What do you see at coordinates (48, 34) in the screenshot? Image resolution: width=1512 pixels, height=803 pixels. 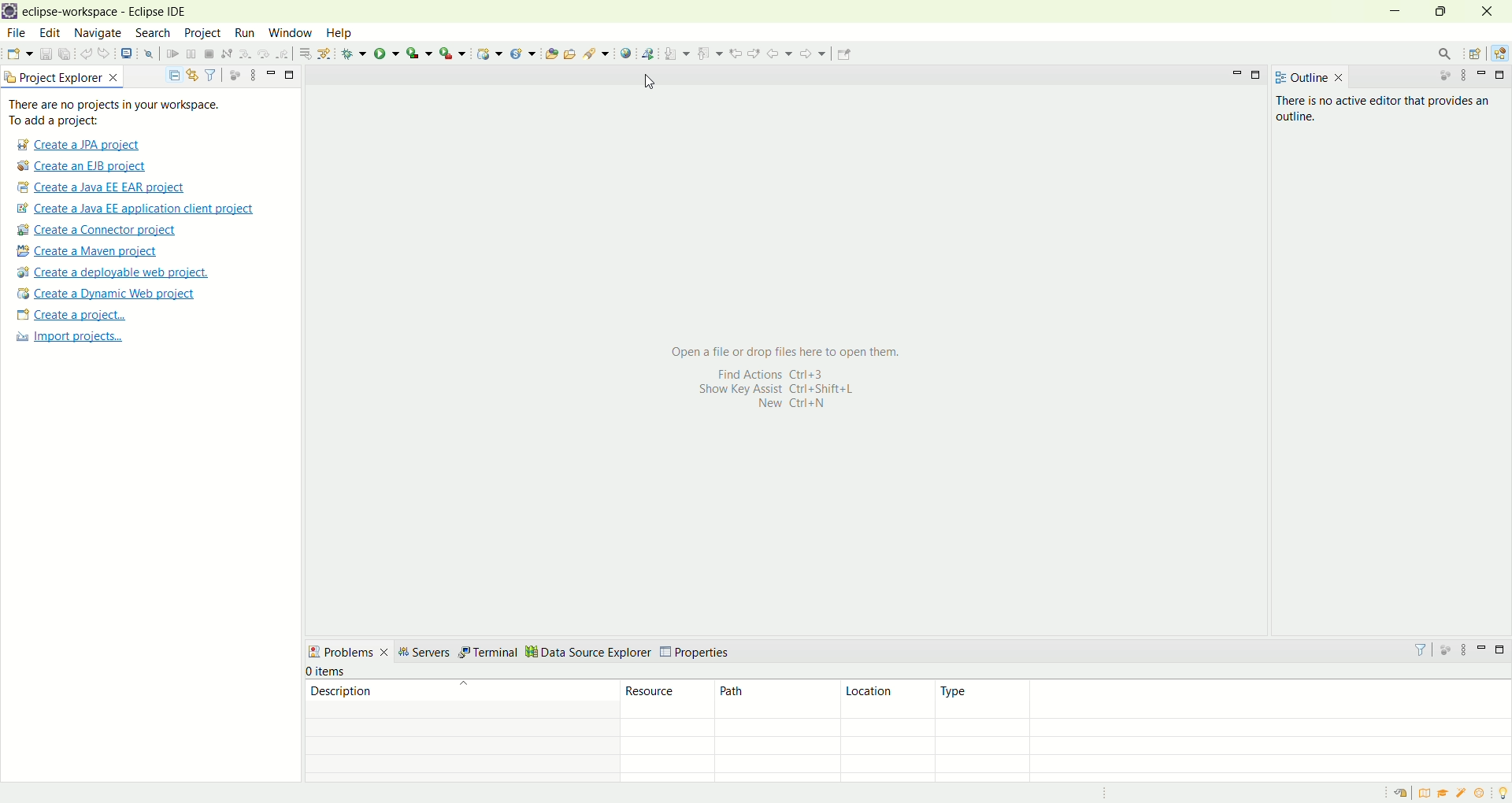 I see `edit` at bounding box center [48, 34].